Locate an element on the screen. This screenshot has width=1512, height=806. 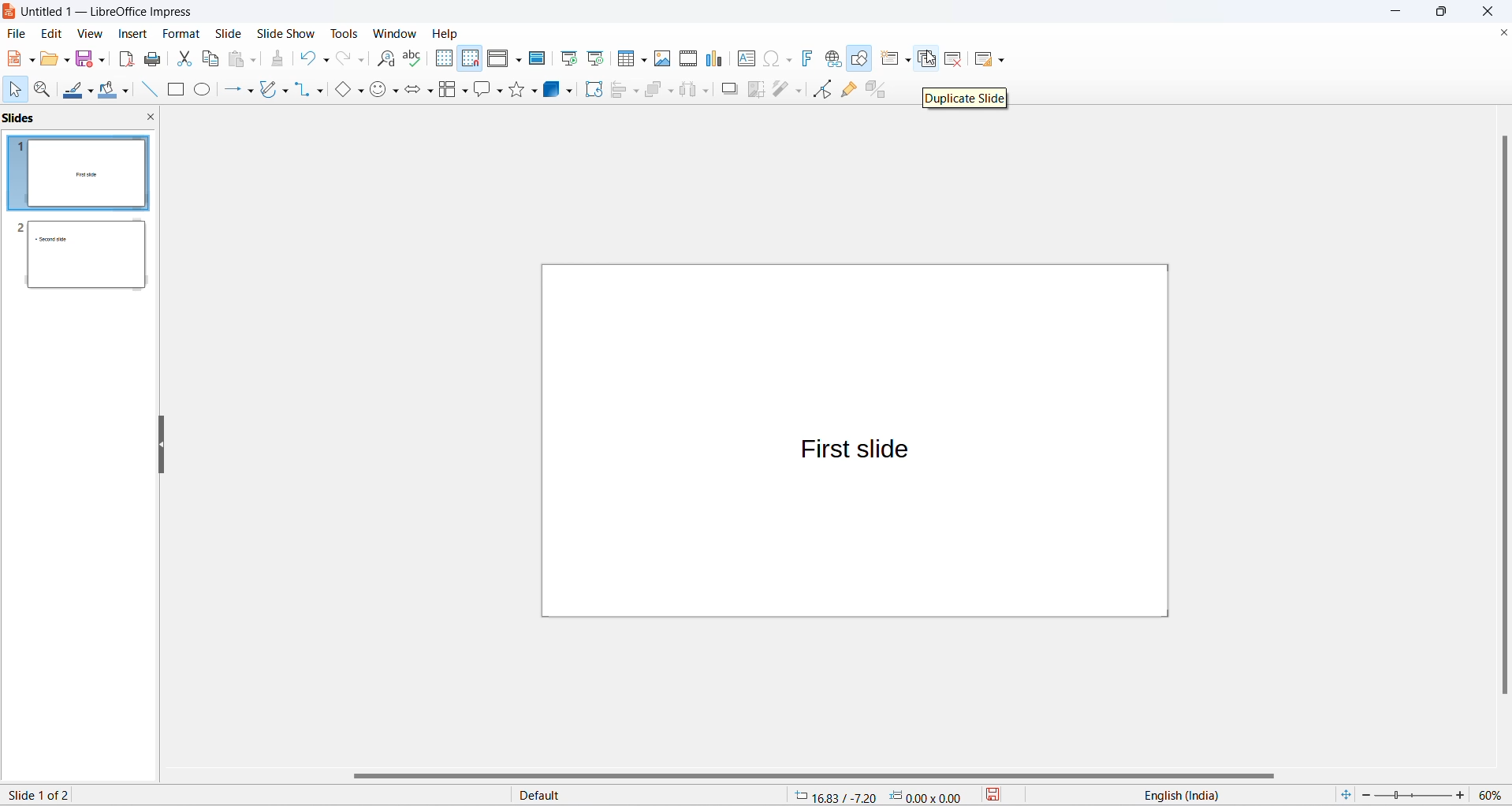
new slide options is located at coordinates (907, 61).